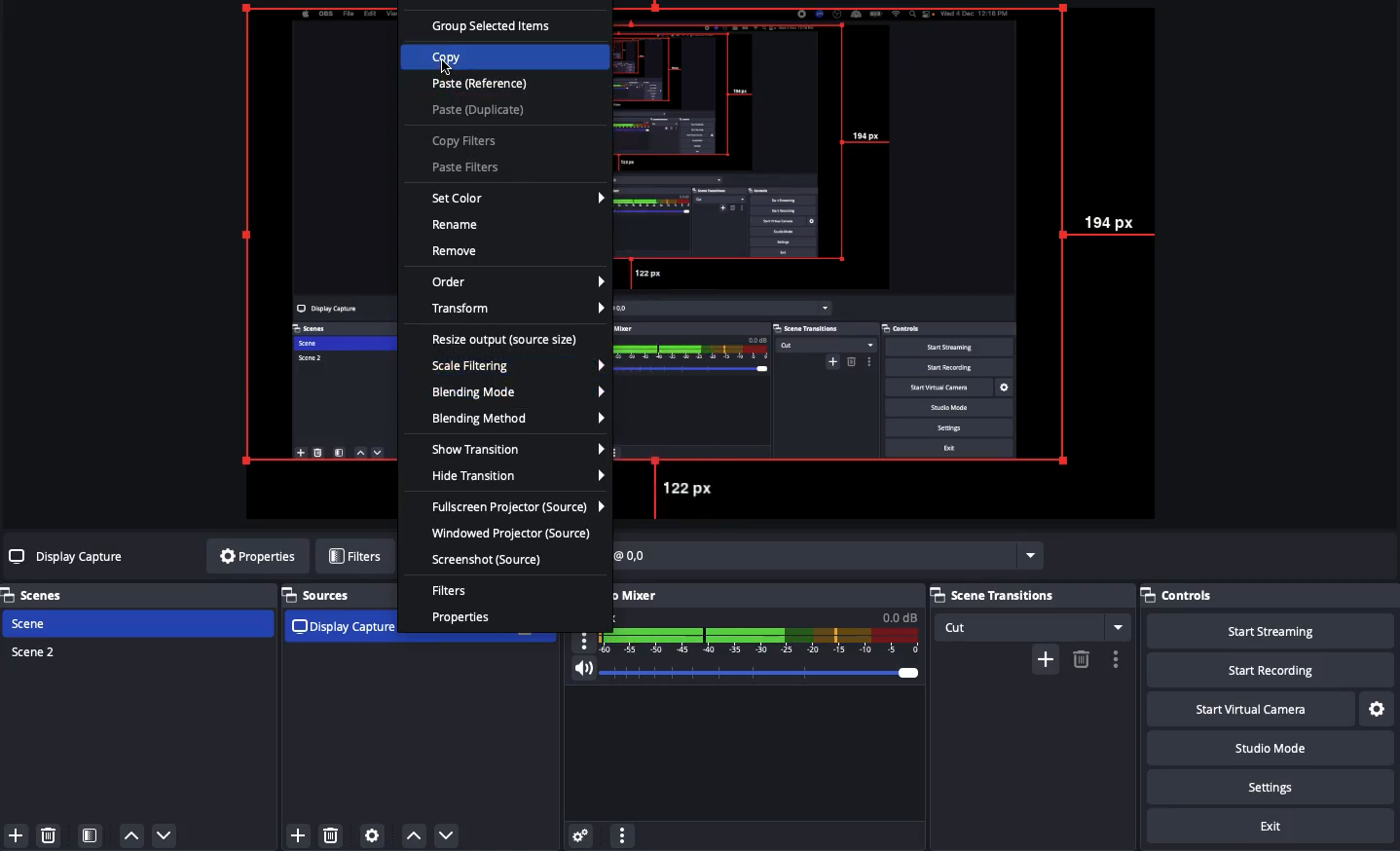  I want to click on Click, so click(446, 68).